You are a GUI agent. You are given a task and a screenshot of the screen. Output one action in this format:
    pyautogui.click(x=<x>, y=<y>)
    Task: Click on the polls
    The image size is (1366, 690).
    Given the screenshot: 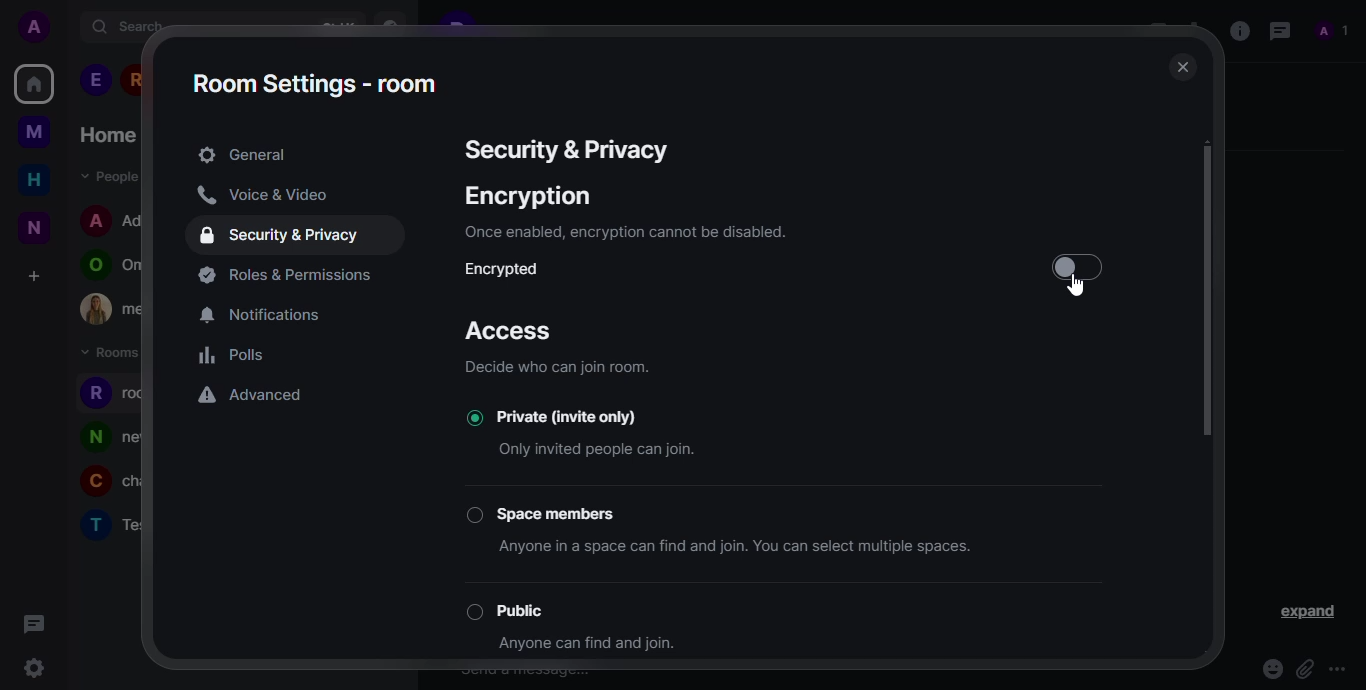 What is the action you would take?
    pyautogui.click(x=238, y=355)
    